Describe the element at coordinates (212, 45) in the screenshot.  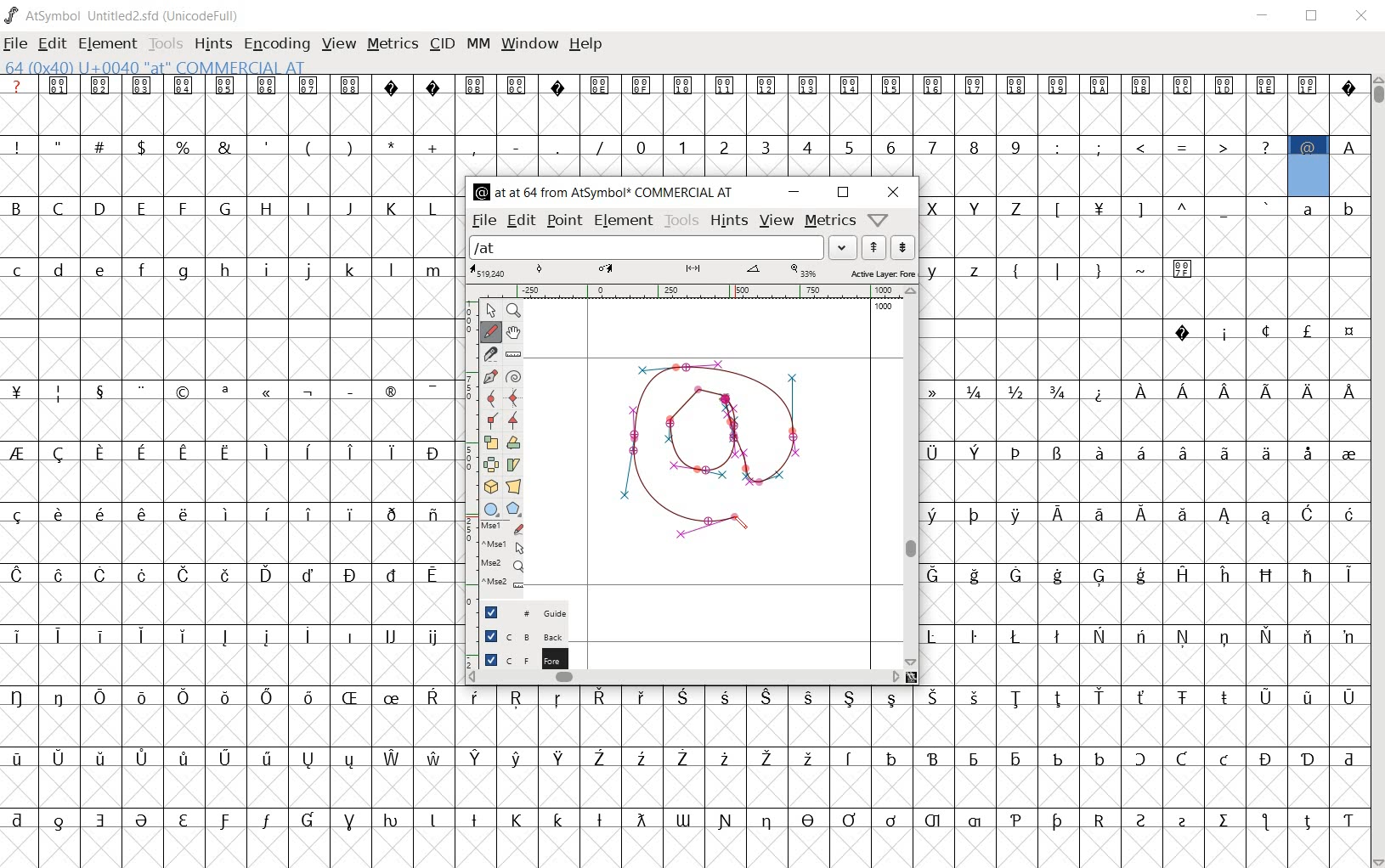
I see `HINTS` at that location.